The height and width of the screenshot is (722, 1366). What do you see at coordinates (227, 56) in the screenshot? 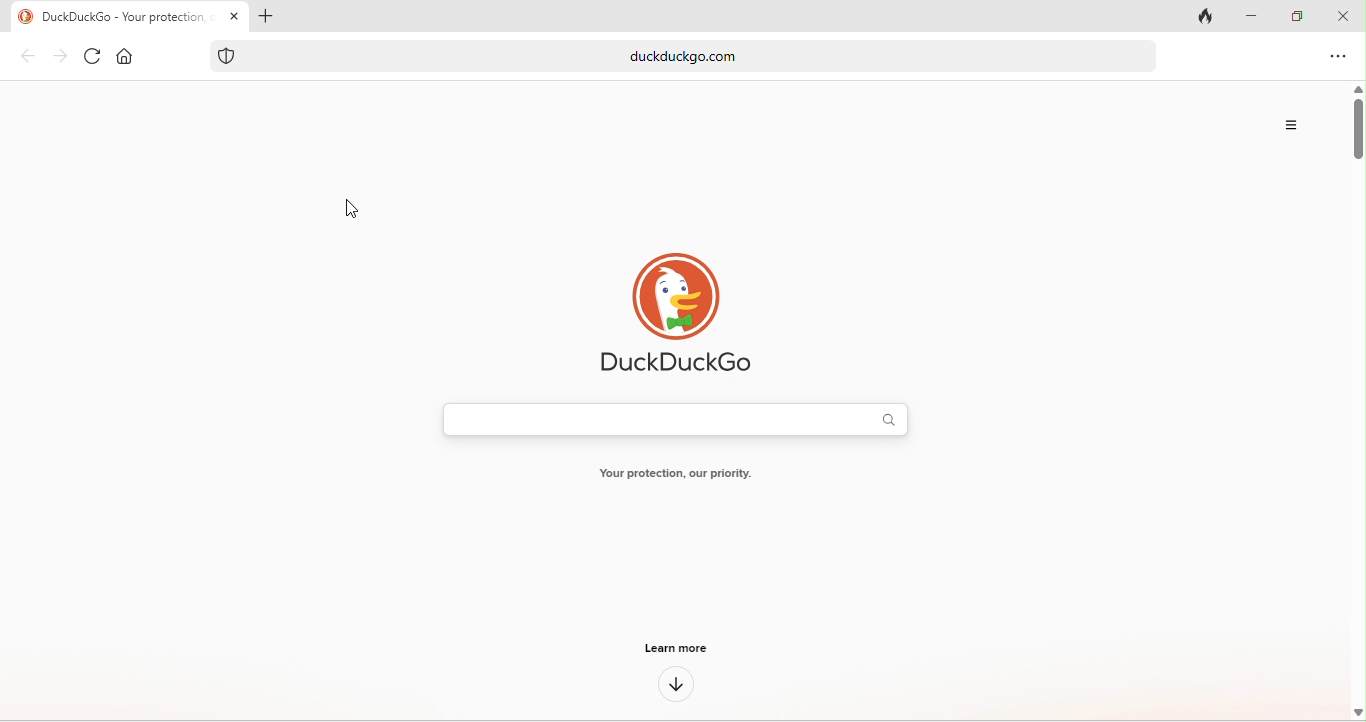
I see `duckduckgo security` at bounding box center [227, 56].